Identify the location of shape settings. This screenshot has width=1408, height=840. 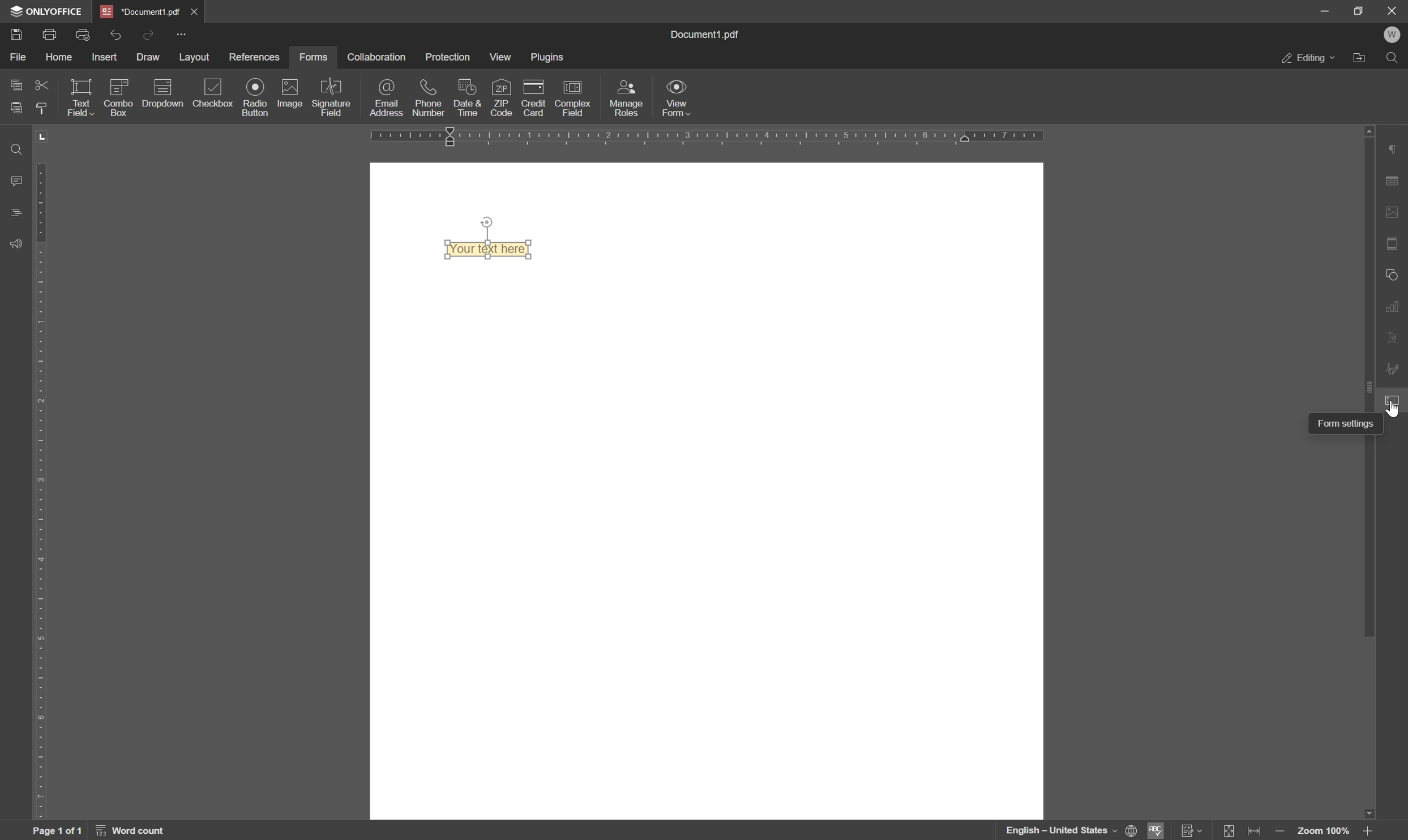
(1393, 274).